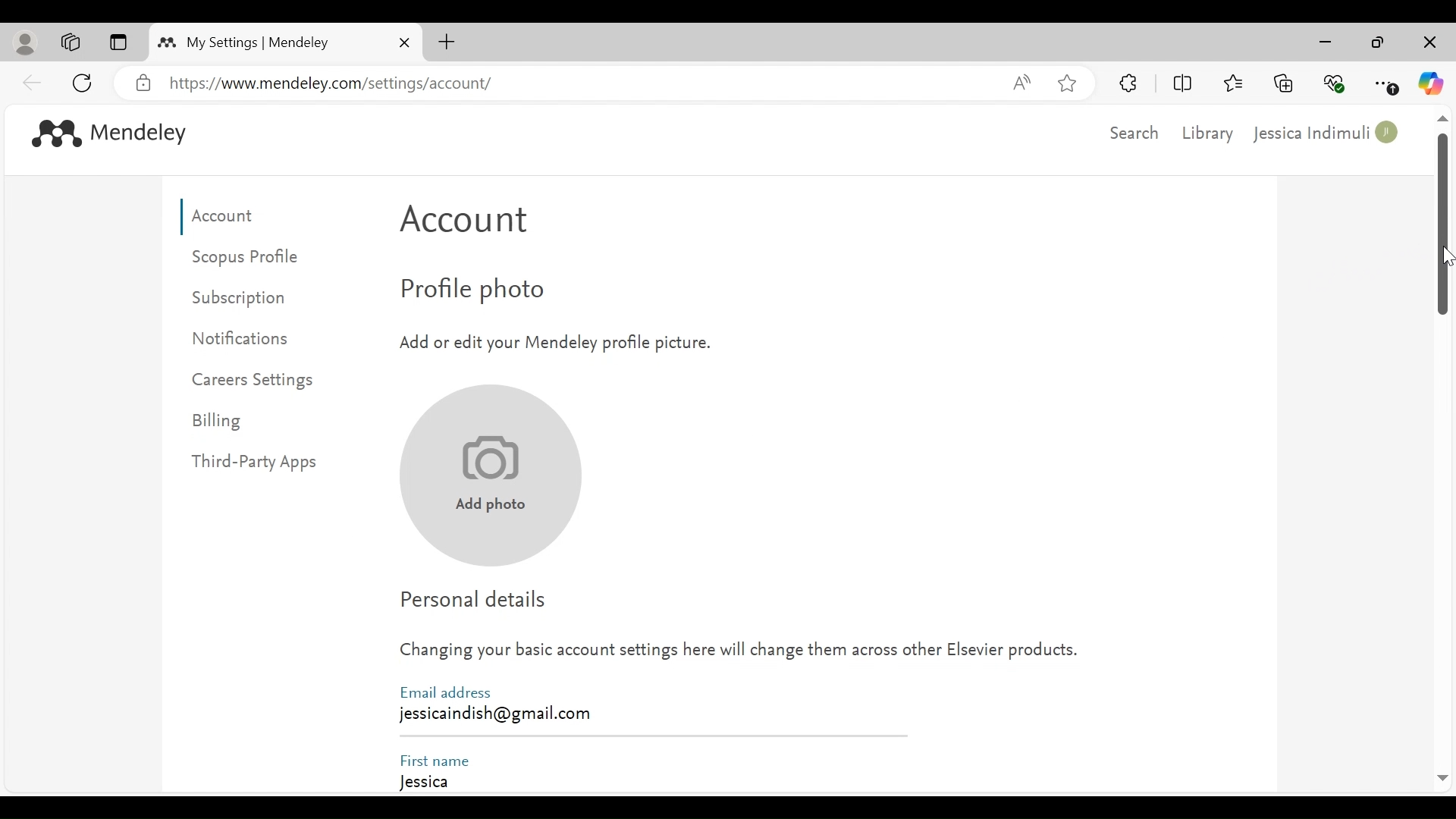 Image resolution: width=1456 pixels, height=819 pixels. What do you see at coordinates (578, 84) in the screenshot?
I see `https://www.mendeley.com/settings/account/` at bounding box center [578, 84].